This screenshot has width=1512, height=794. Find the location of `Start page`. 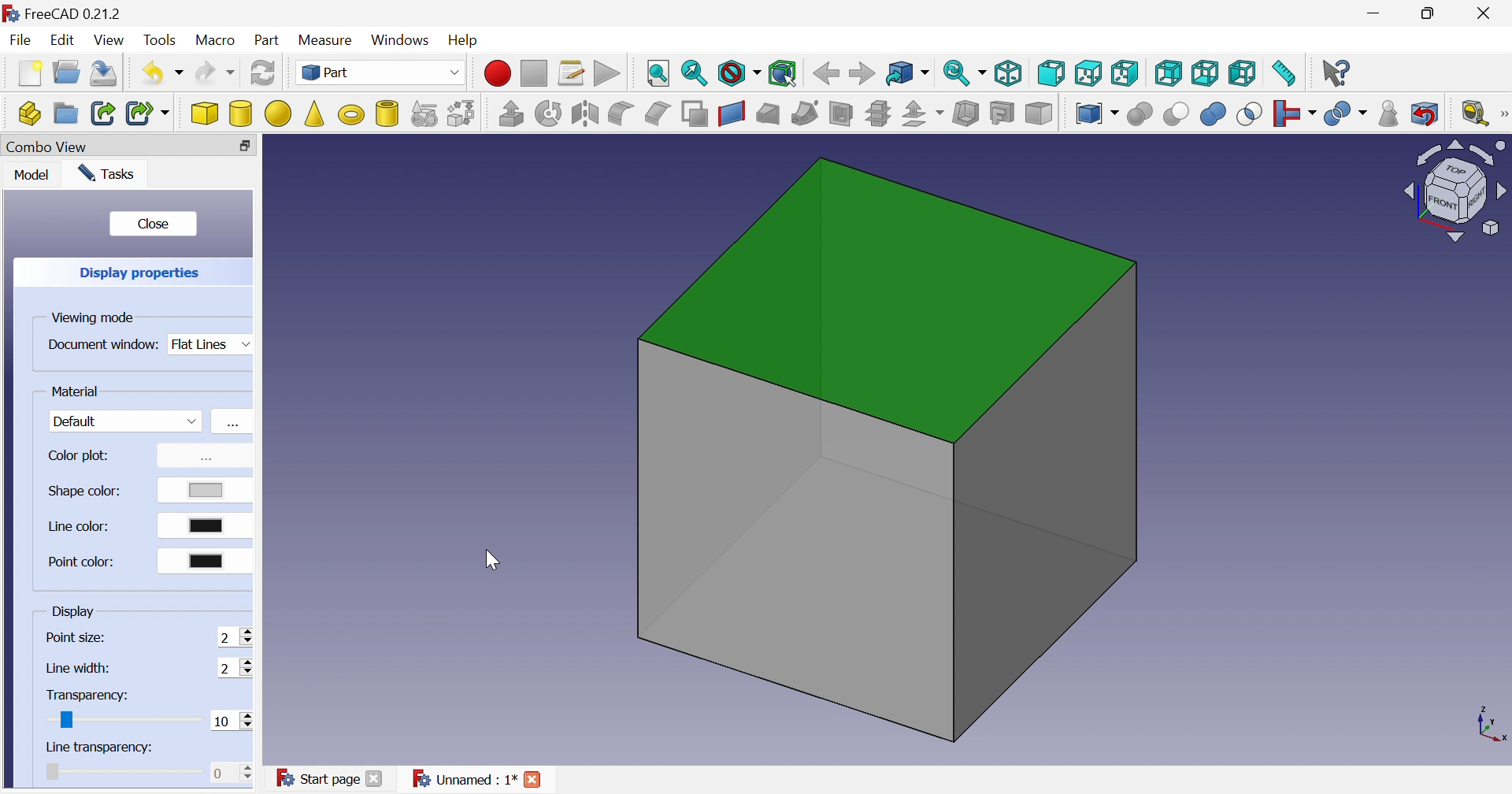

Start page is located at coordinates (317, 779).